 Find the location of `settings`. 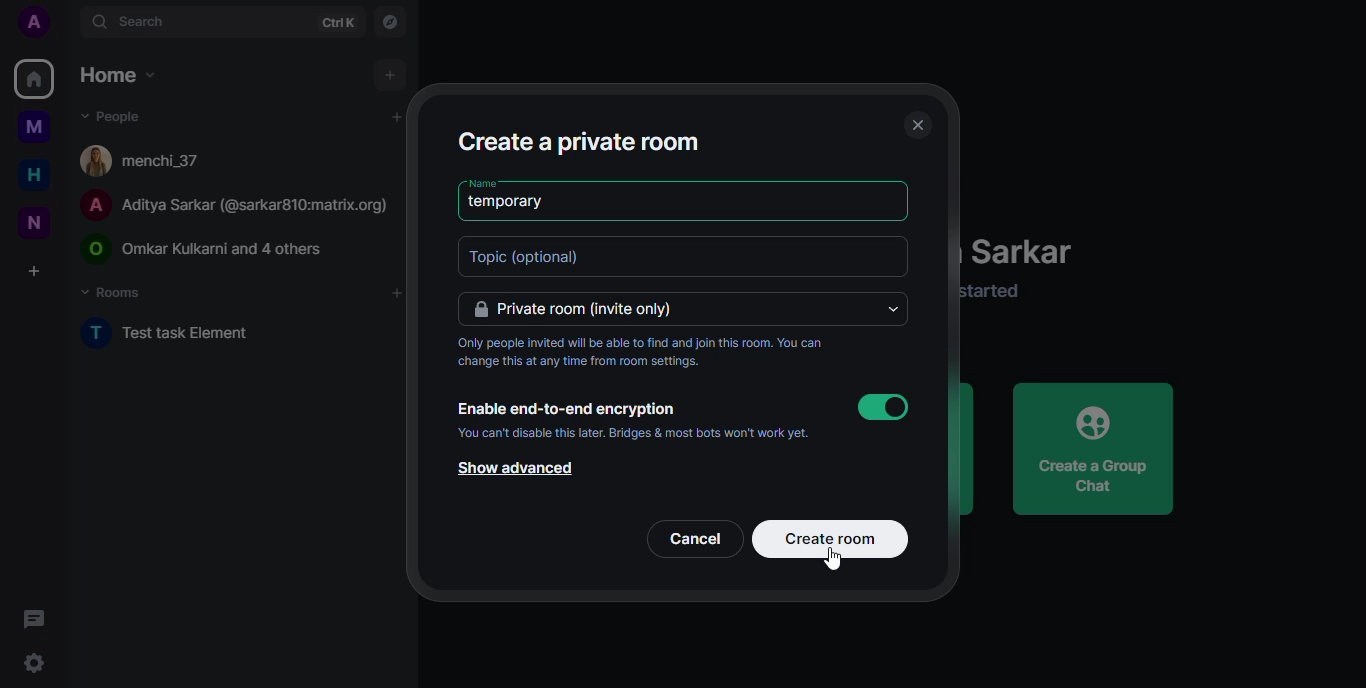

settings is located at coordinates (35, 664).